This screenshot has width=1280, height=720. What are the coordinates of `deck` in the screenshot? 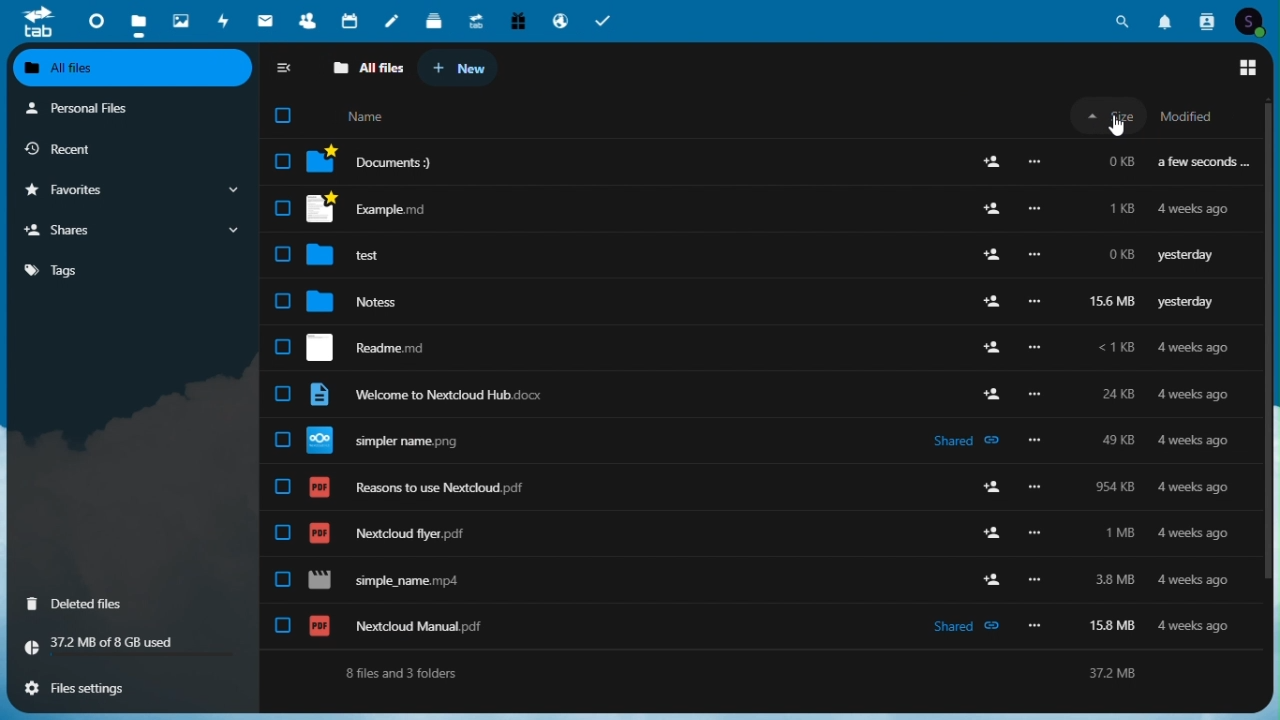 It's located at (434, 20).